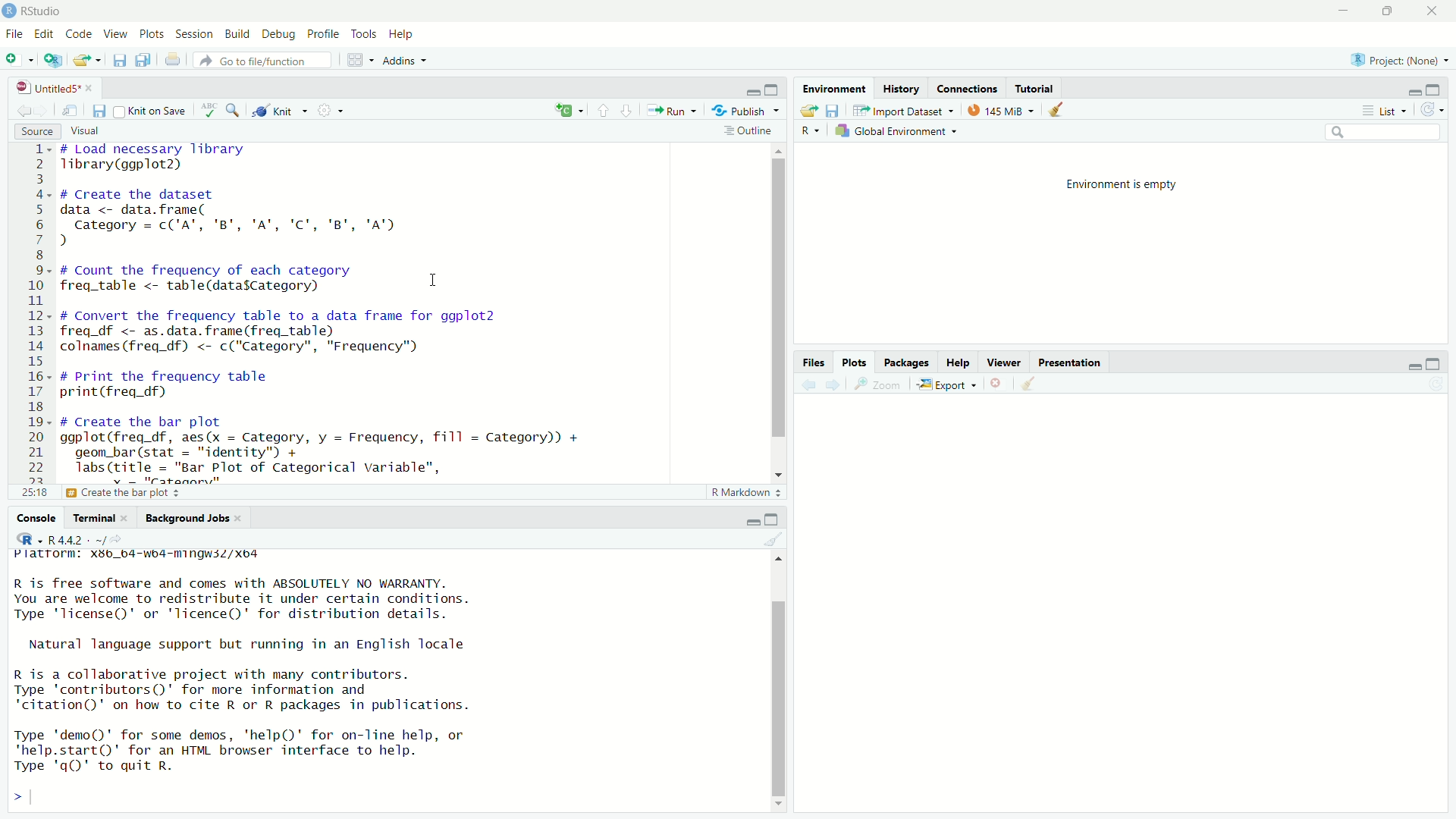 The height and width of the screenshot is (819, 1456). I want to click on 145 MiB, so click(997, 111).